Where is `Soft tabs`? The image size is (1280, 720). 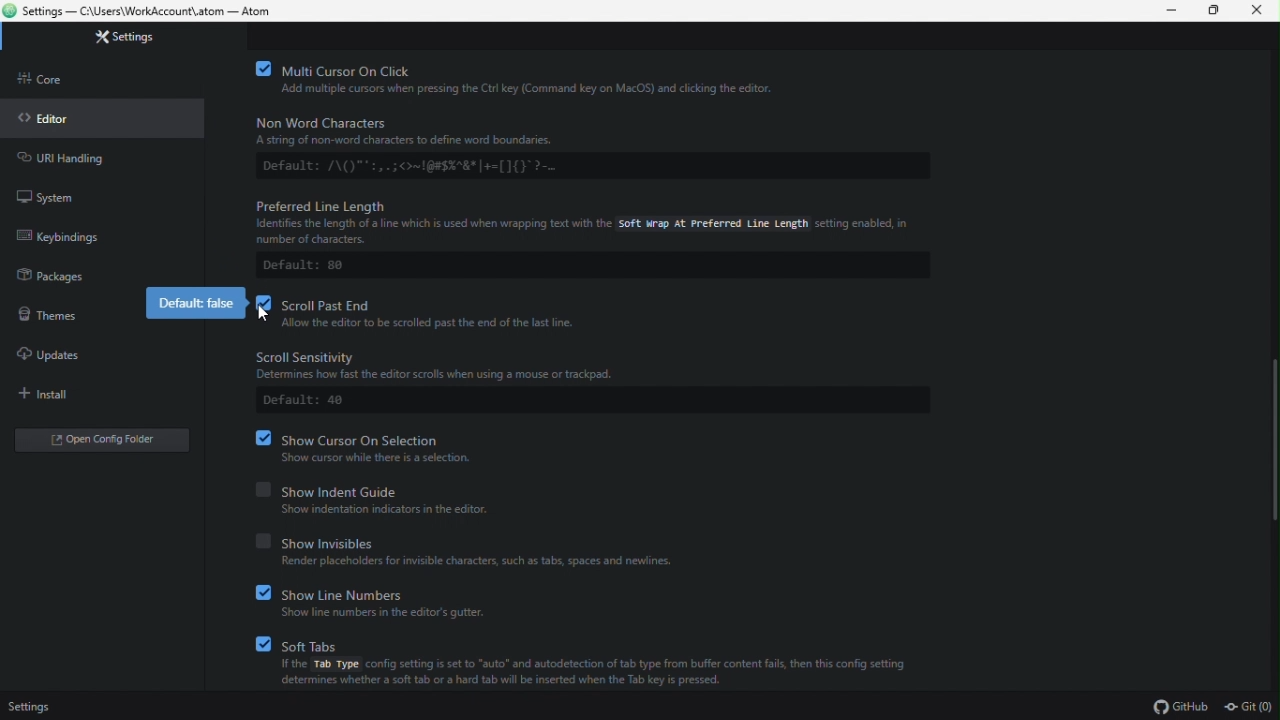
Soft tabs is located at coordinates (591, 642).